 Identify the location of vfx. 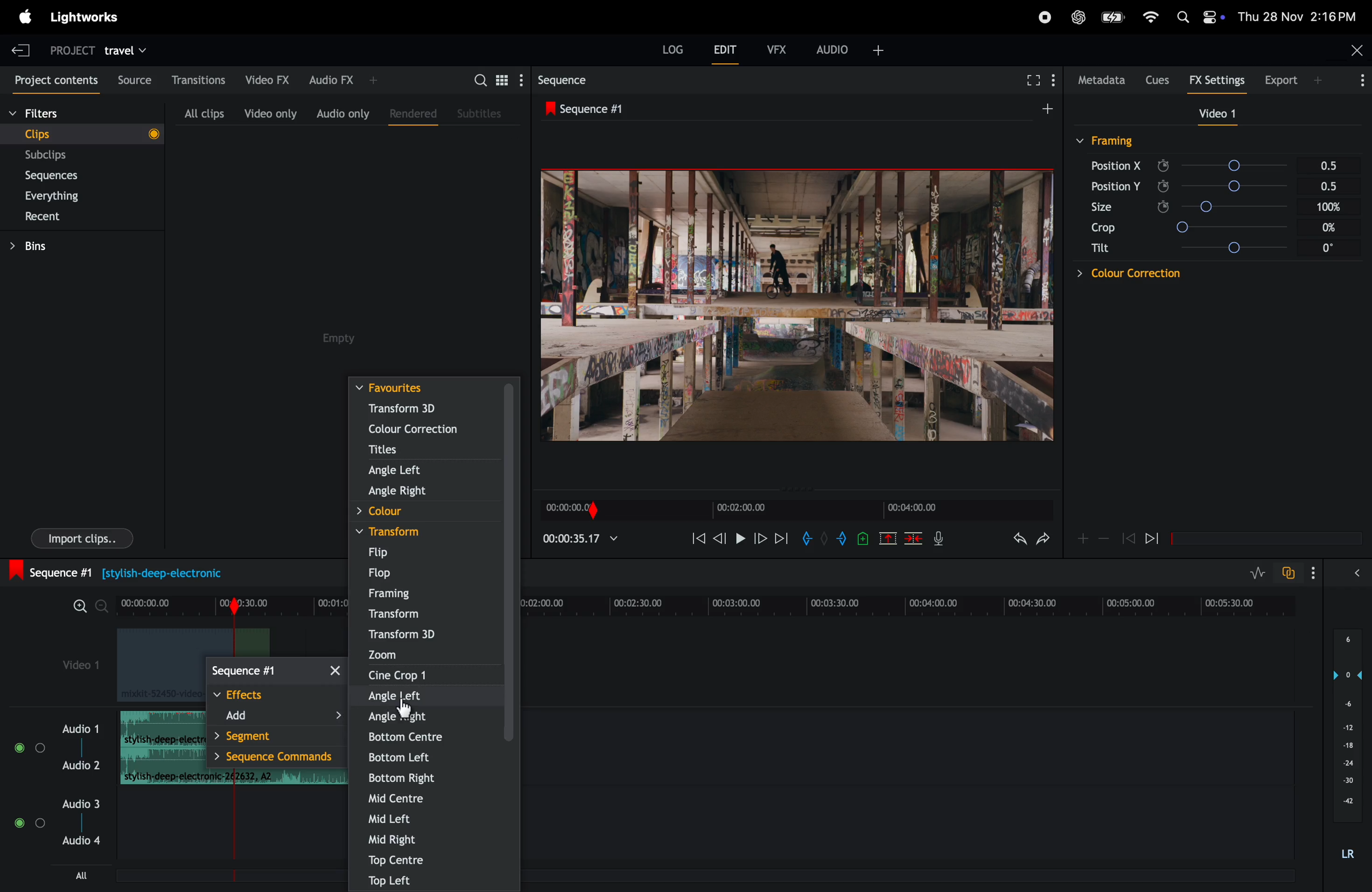
(777, 48).